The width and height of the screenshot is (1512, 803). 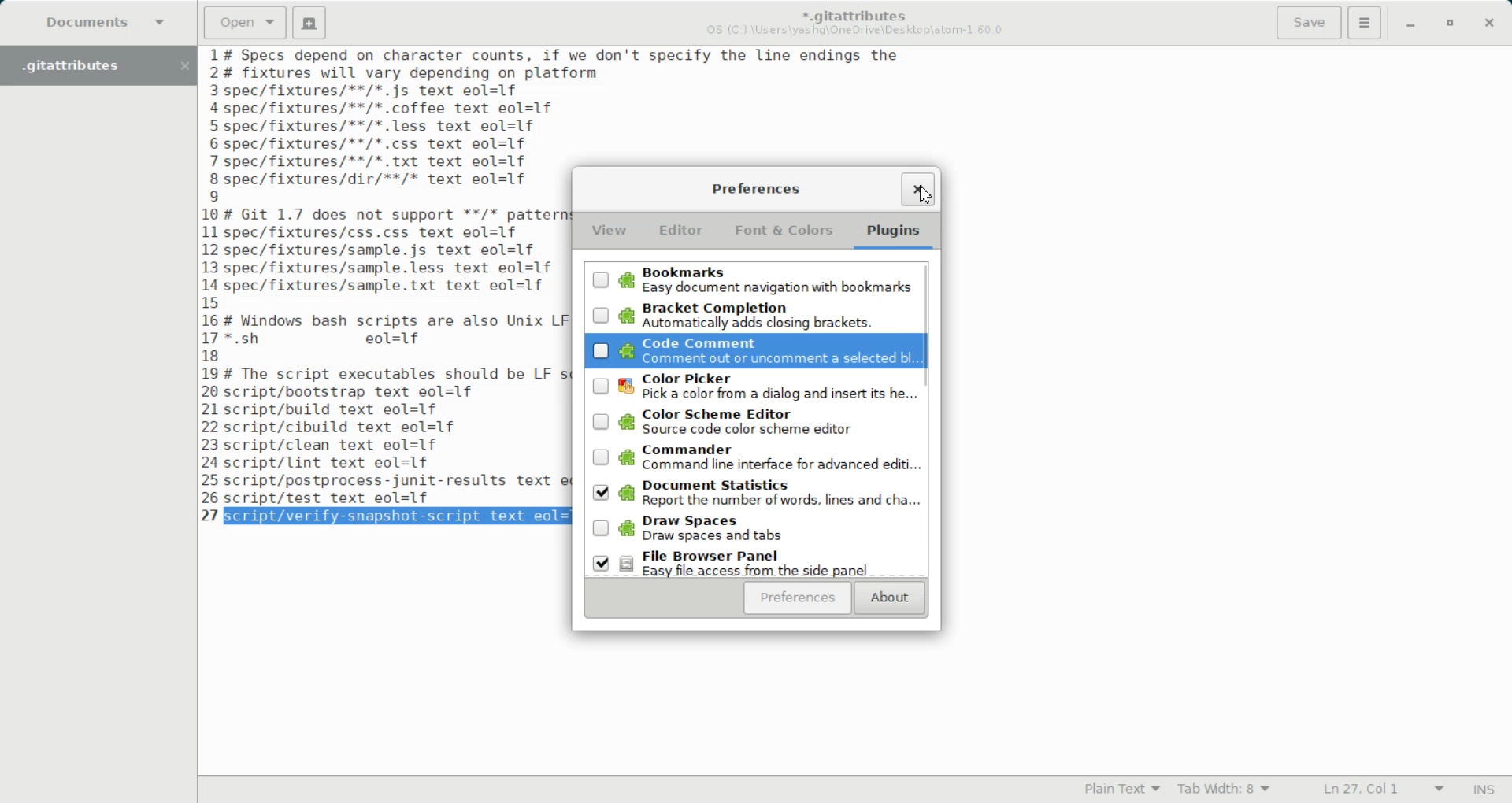 I want to click on Hamburger Settings, so click(x=1365, y=22).